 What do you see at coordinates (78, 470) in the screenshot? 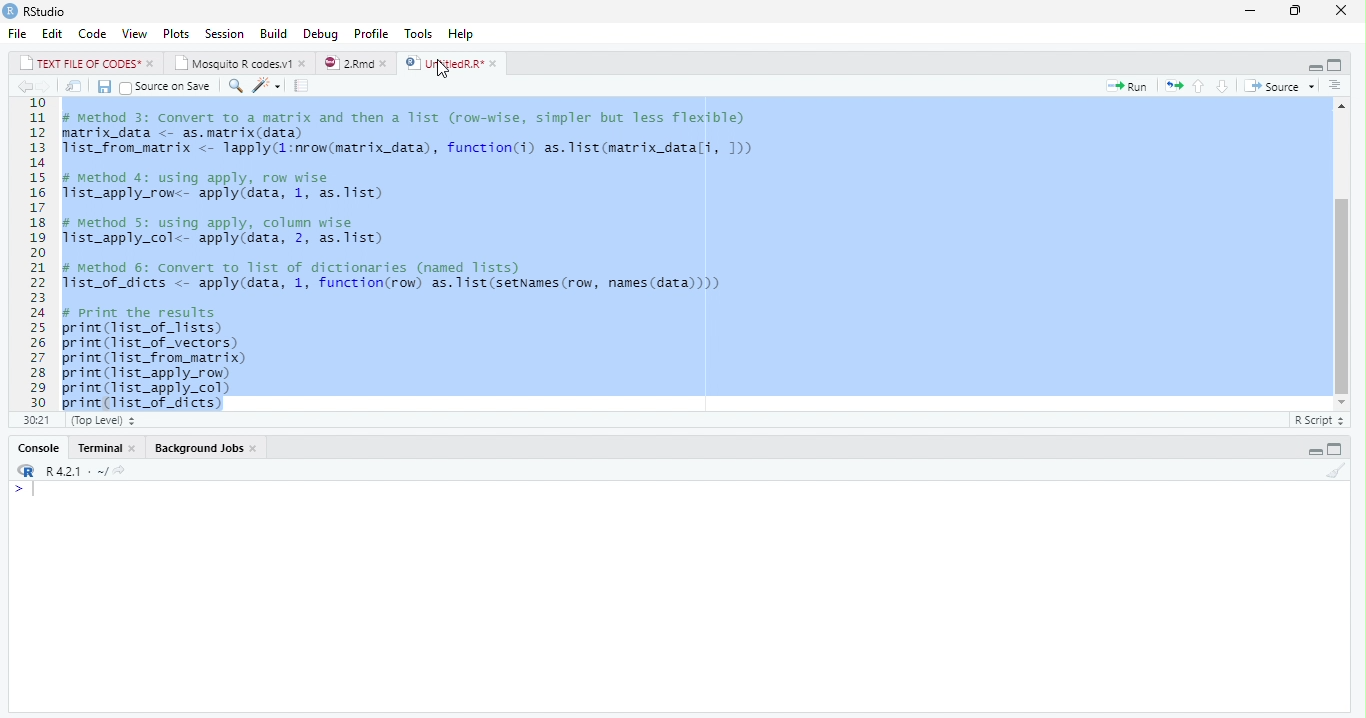
I see `R 4.2.1 - ~/` at bounding box center [78, 470].